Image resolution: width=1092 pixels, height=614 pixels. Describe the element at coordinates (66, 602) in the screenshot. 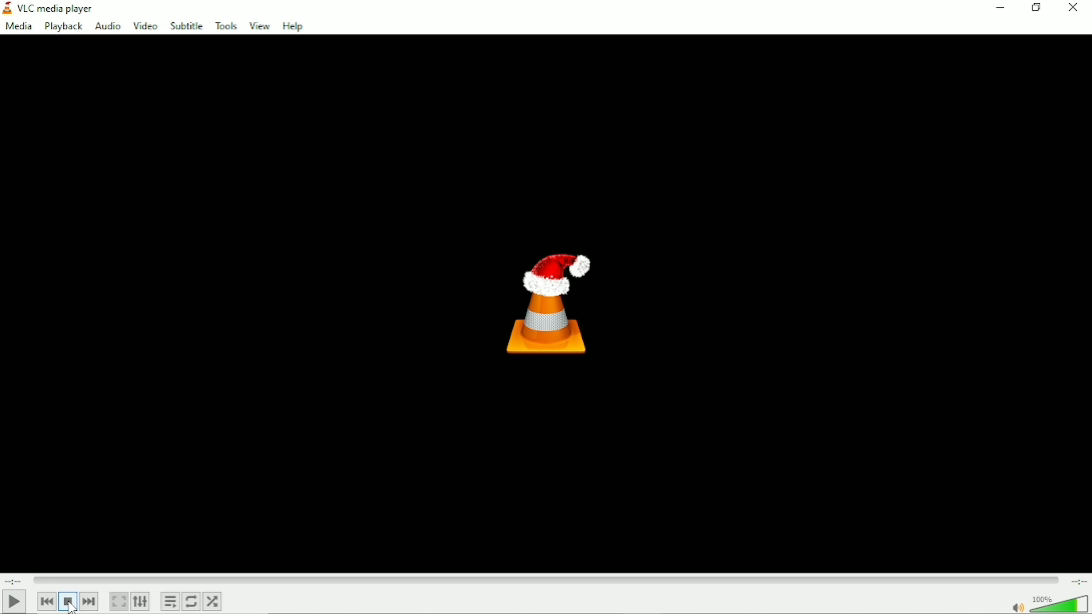

I see `Stop playback` at that location.